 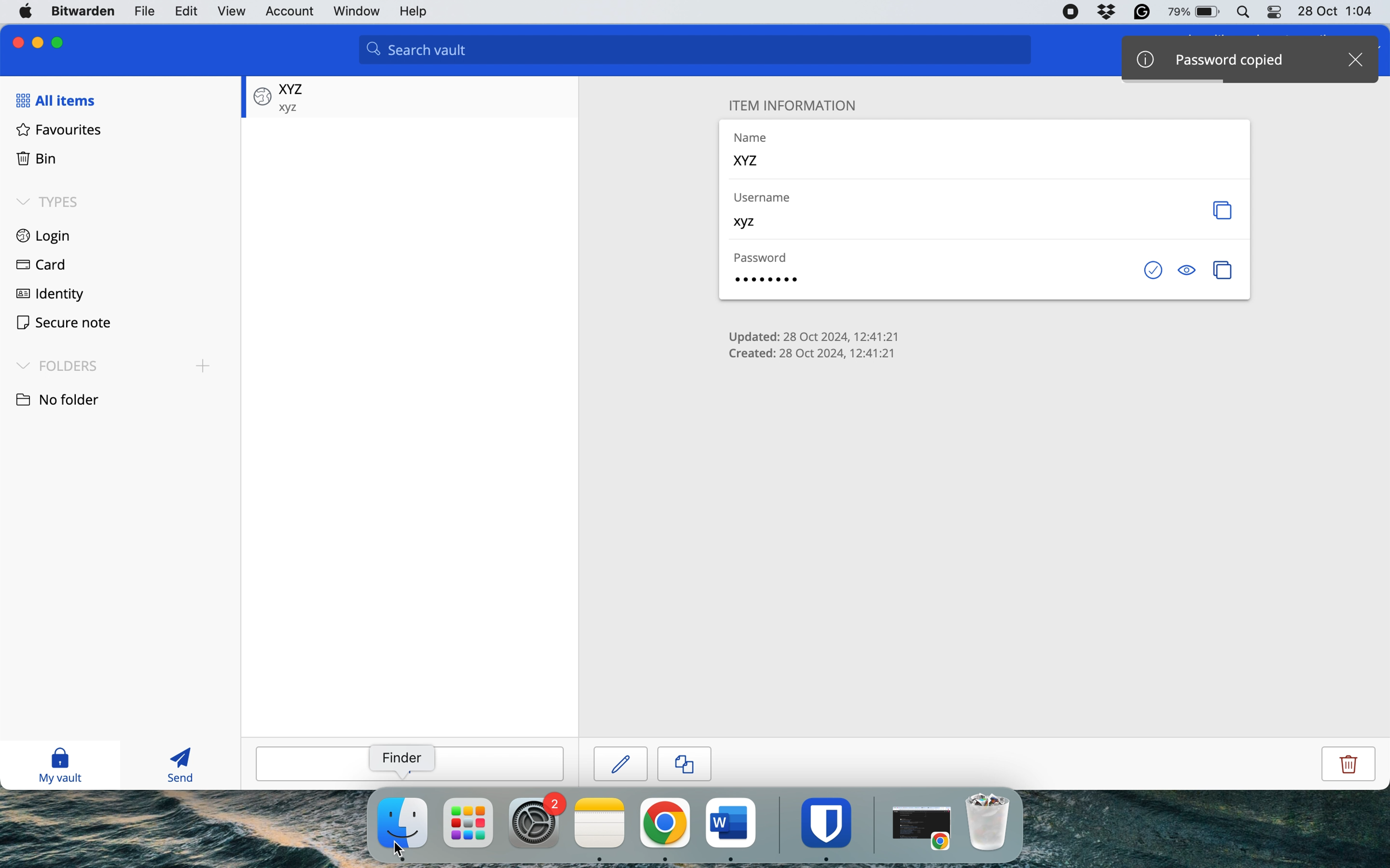 I want to click on system preferences, so click(x=536, y=822).